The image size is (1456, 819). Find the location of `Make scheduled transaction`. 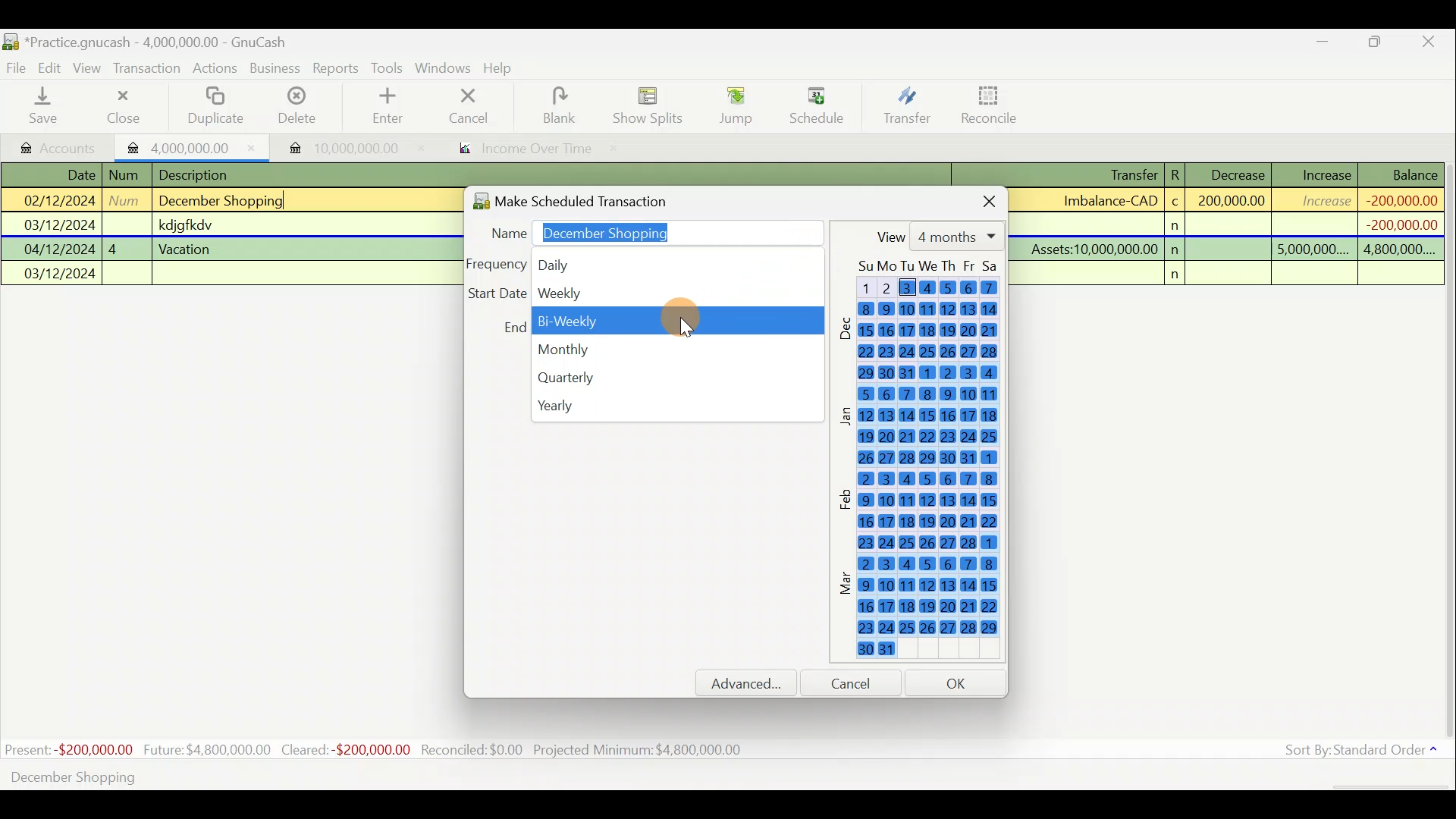

Make scheduled transaction is located at coordinates (595, 198).